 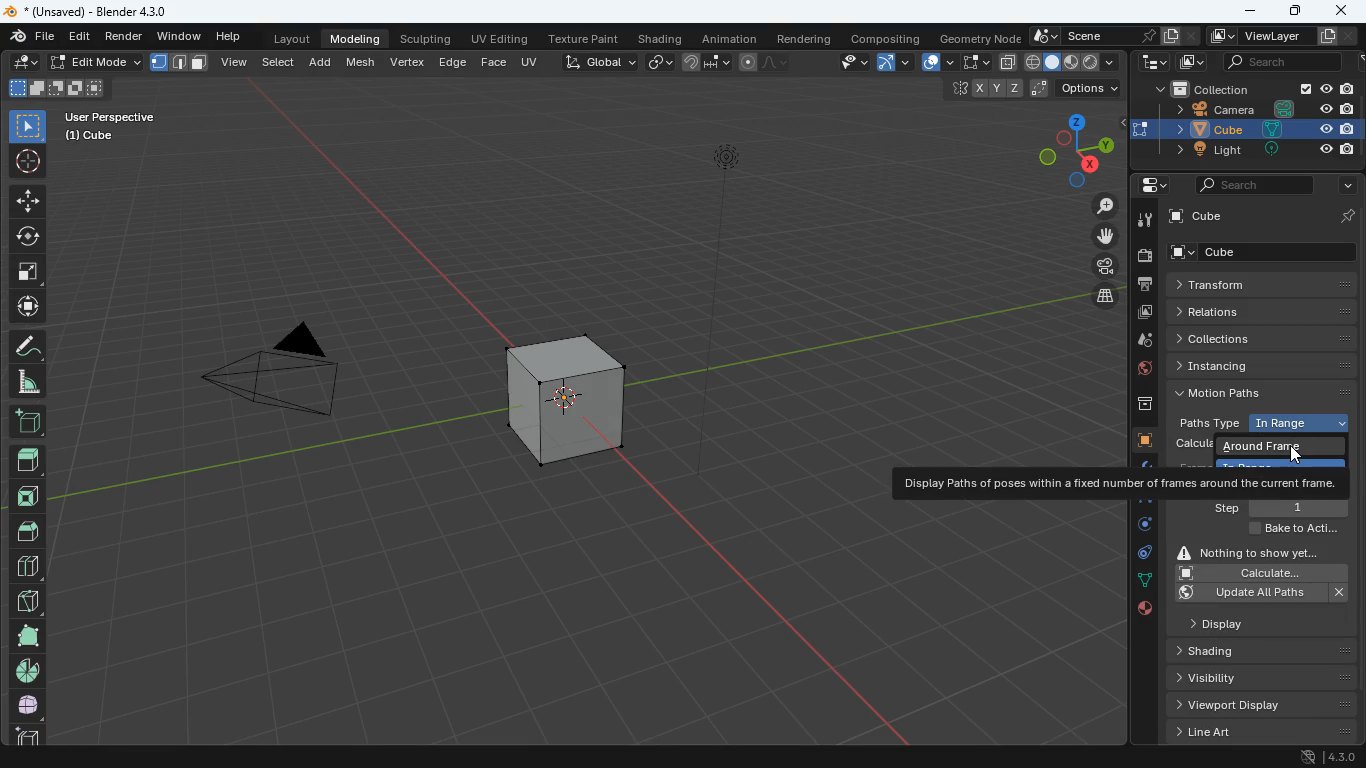 I want to click on image, so click(x=1187, y=63).